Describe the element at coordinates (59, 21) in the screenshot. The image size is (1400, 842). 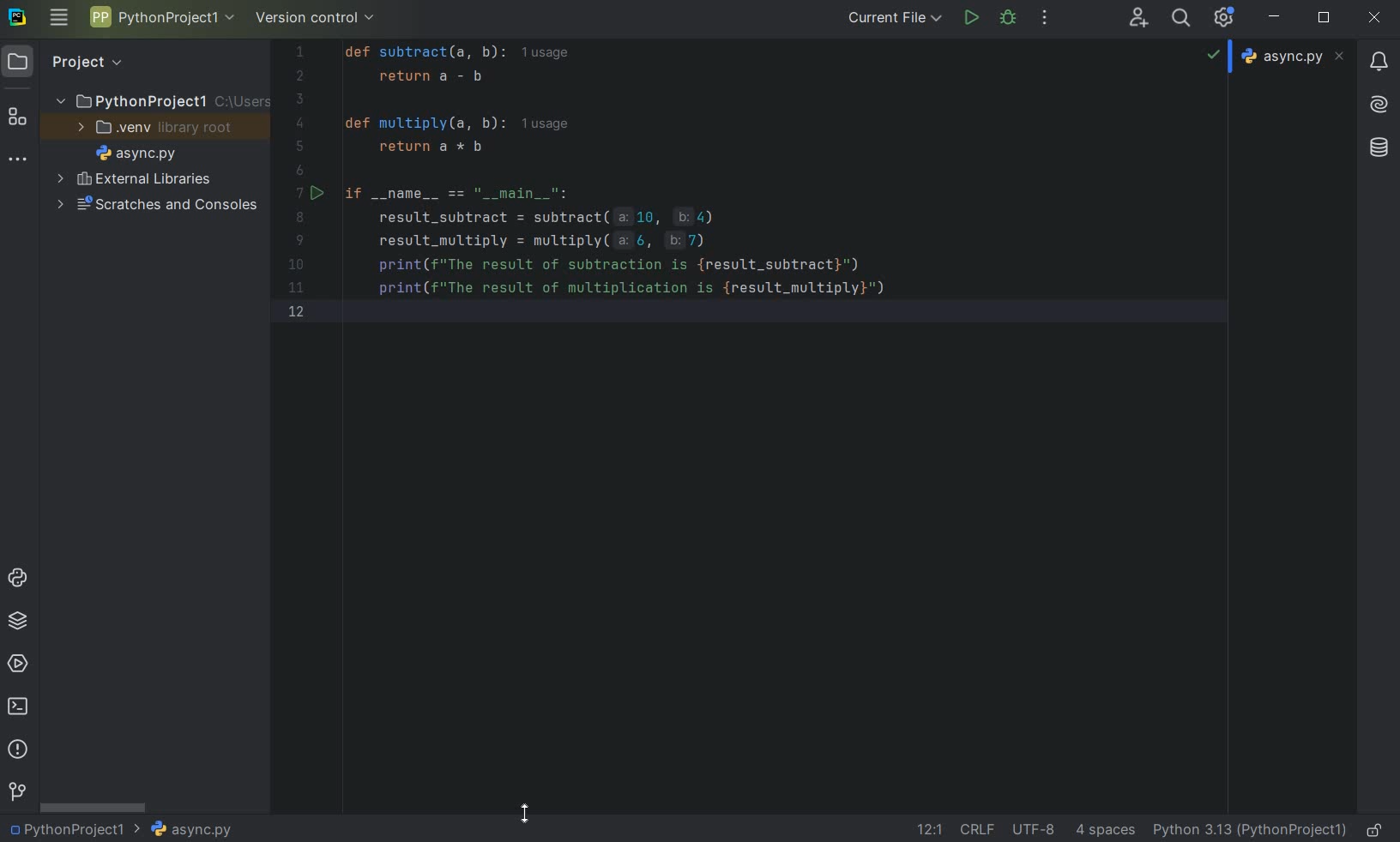
I see `main menu` at that location.